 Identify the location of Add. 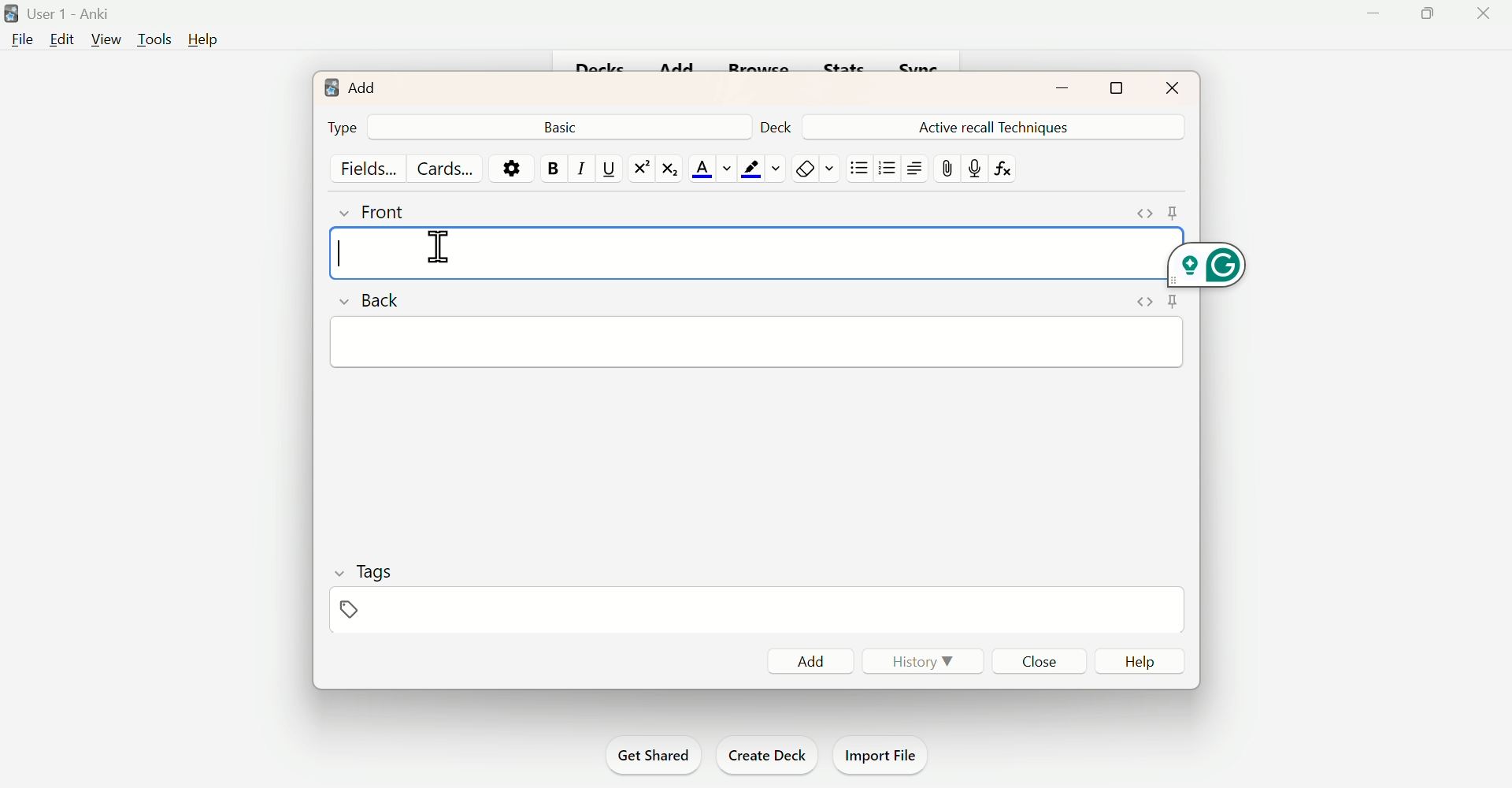
(362, 87).